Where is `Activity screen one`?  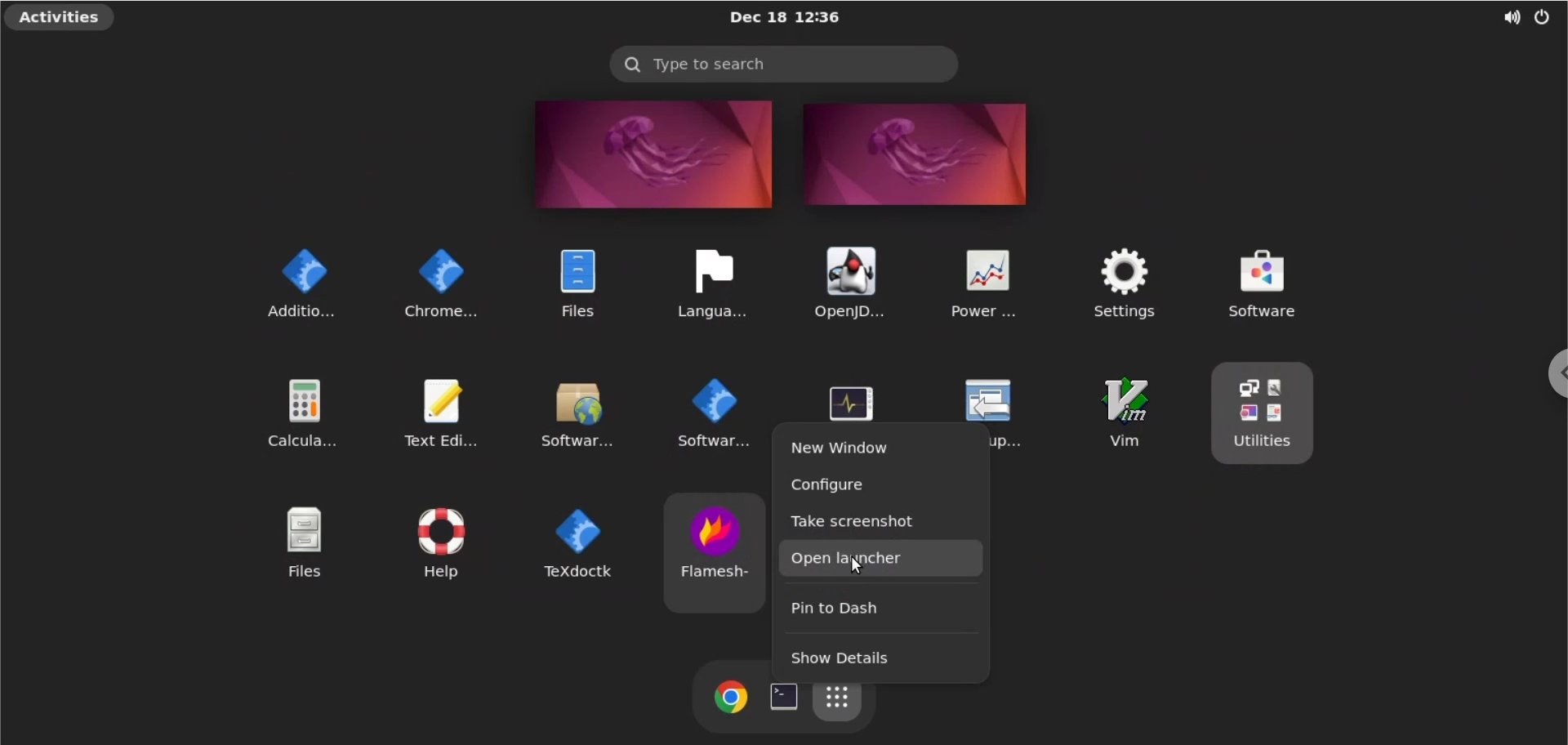
Activity screen one is located at coordinates (646, 154).